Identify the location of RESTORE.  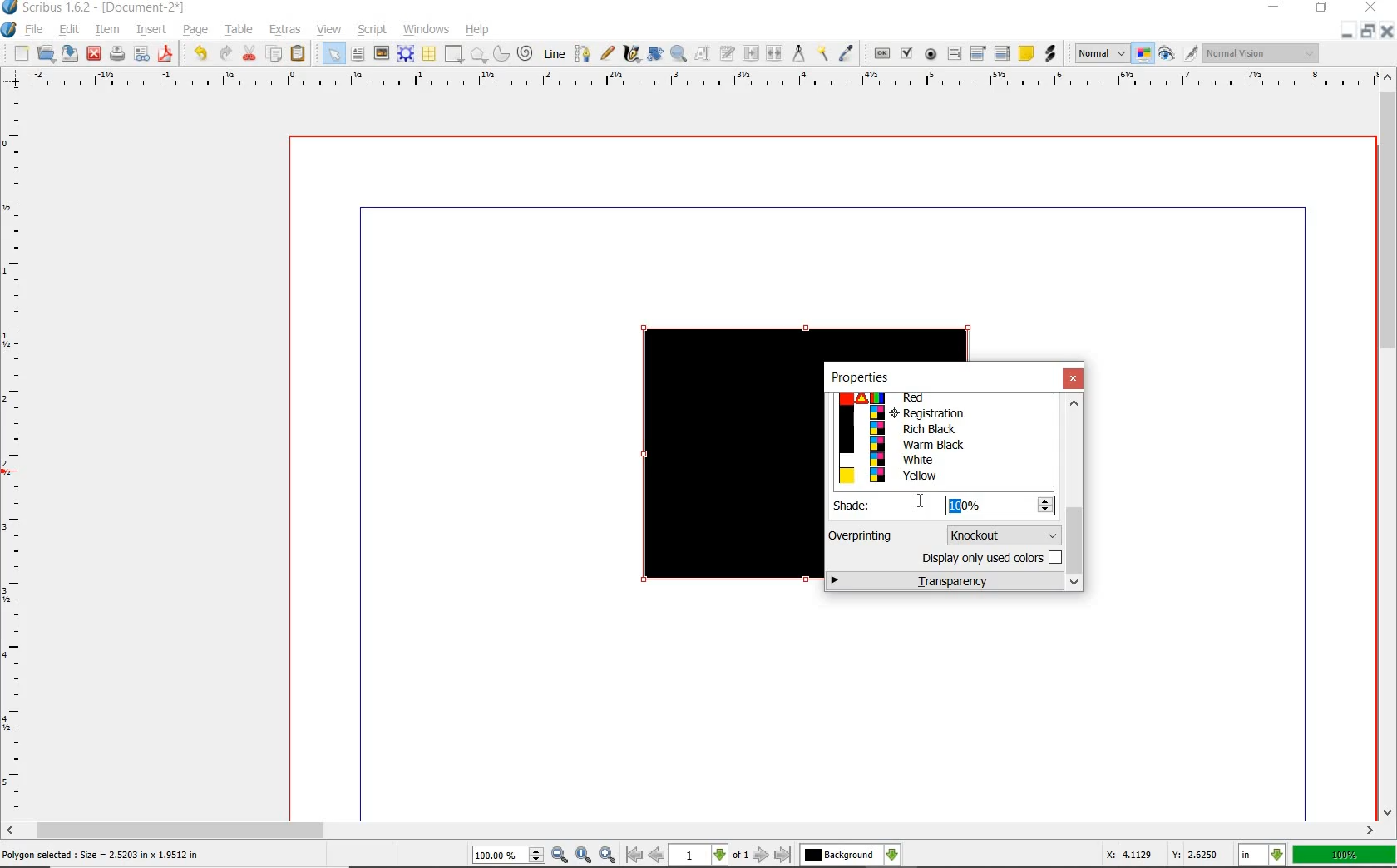
(1321, 11).